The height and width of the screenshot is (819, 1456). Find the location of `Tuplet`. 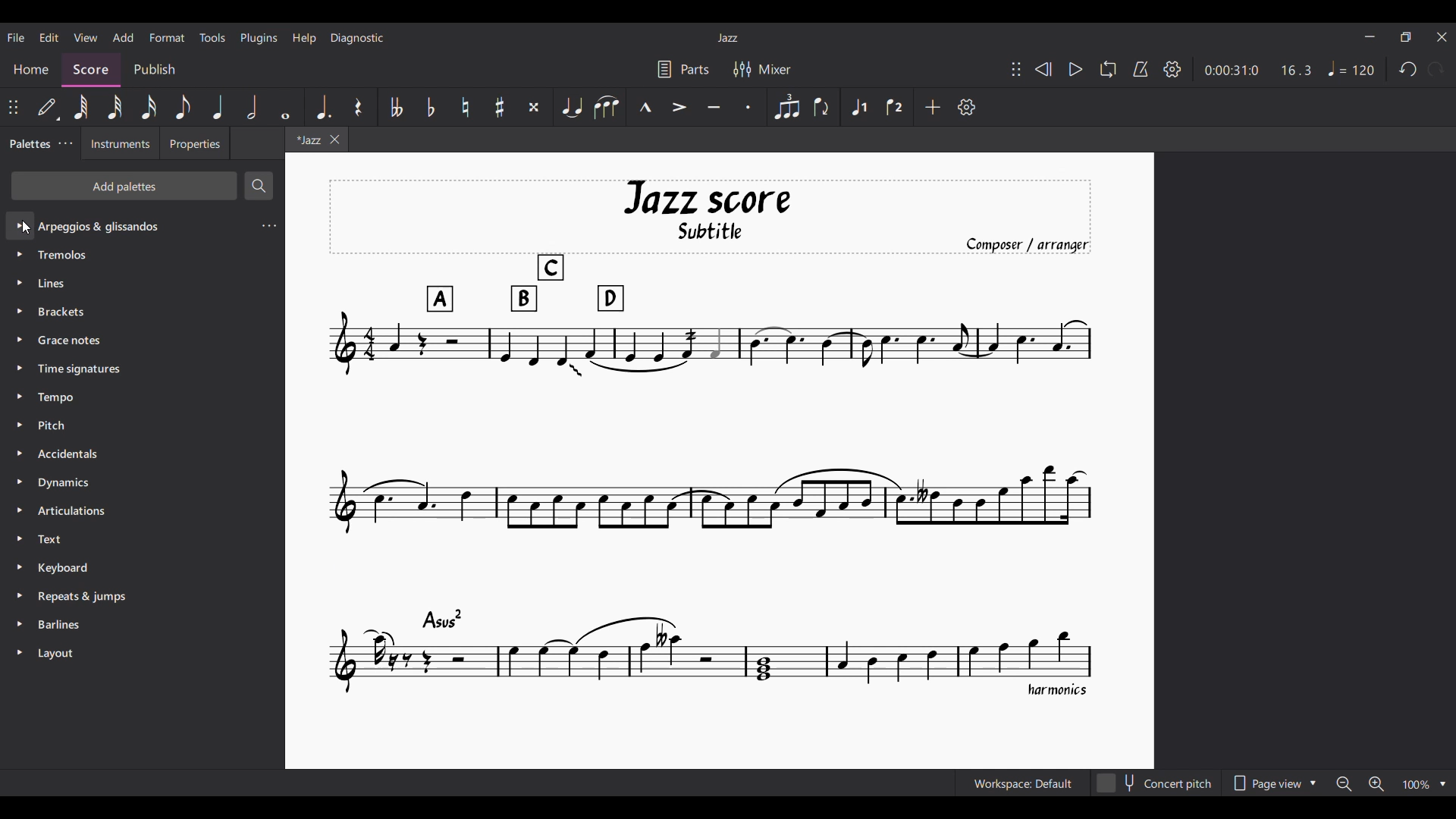

Tuplet is located at coordinates (786, 107).